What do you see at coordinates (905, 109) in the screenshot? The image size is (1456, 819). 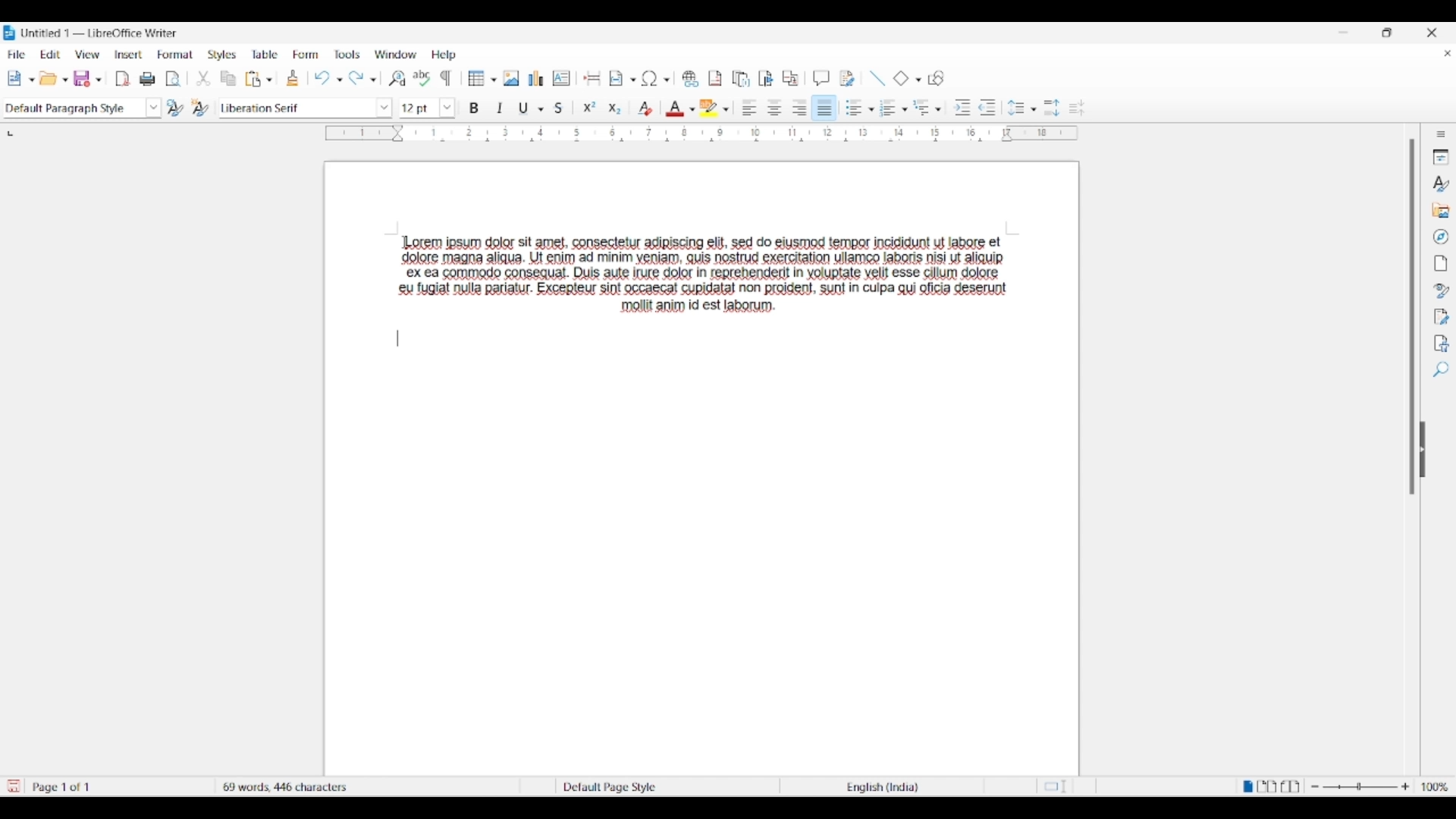 I see `Toggle ordered list options` at bounding box center [905, 109].